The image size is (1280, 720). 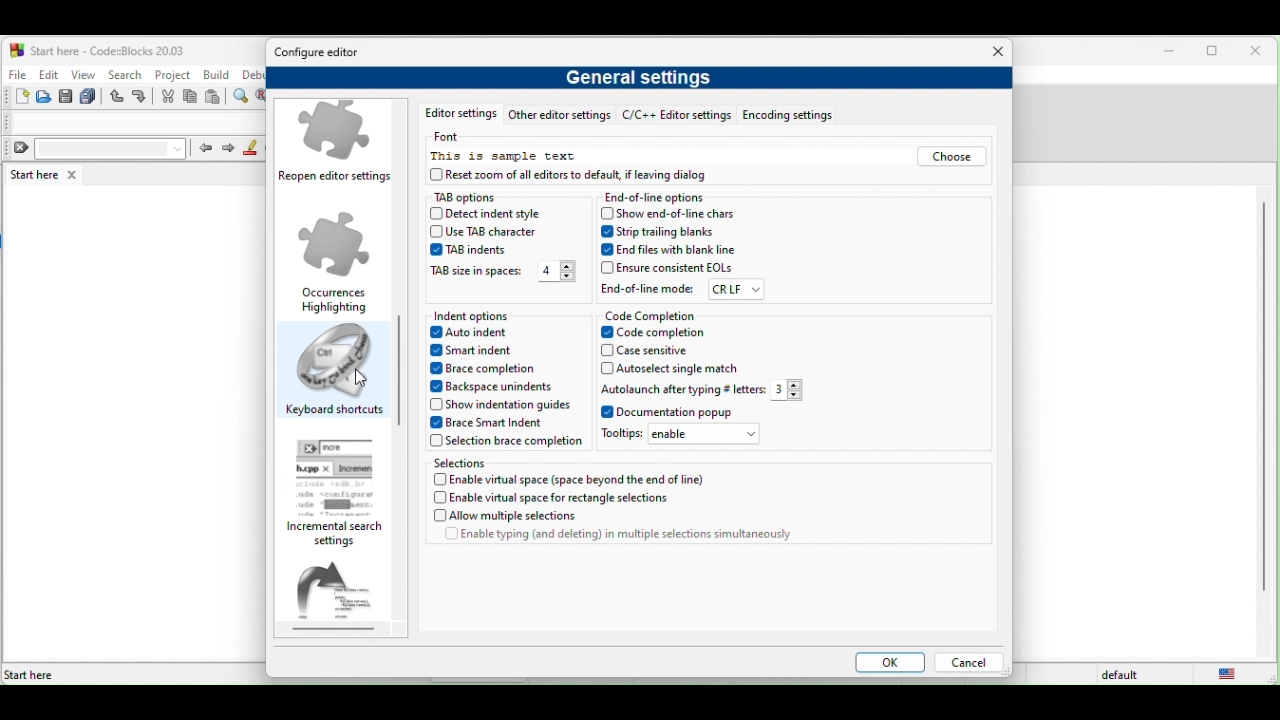 What do you see at coordinates (142, 97) in the screenshot?
I see `redo` at bounding box center [142, 97].